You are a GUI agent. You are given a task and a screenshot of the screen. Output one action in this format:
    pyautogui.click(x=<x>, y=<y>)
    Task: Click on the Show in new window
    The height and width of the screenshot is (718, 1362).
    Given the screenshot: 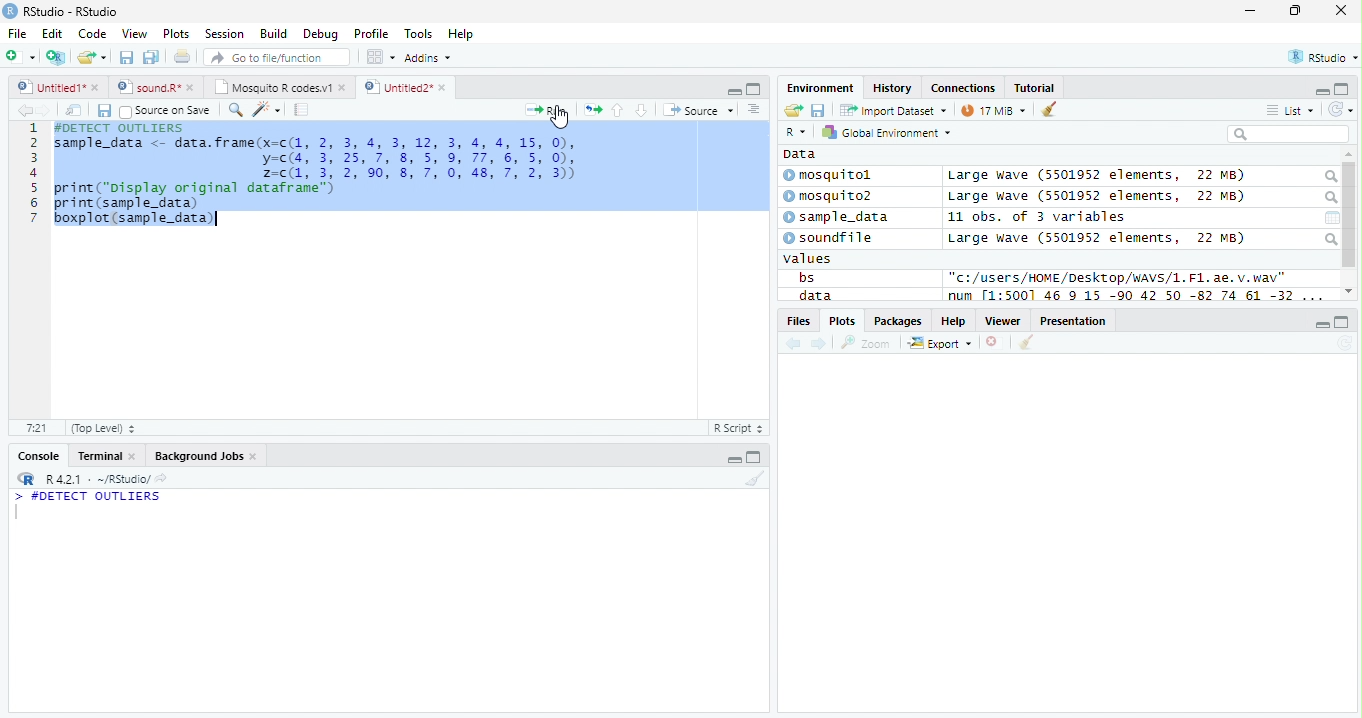 What is the action you would take?
    pyautogui.click(x=74, y=111)
    